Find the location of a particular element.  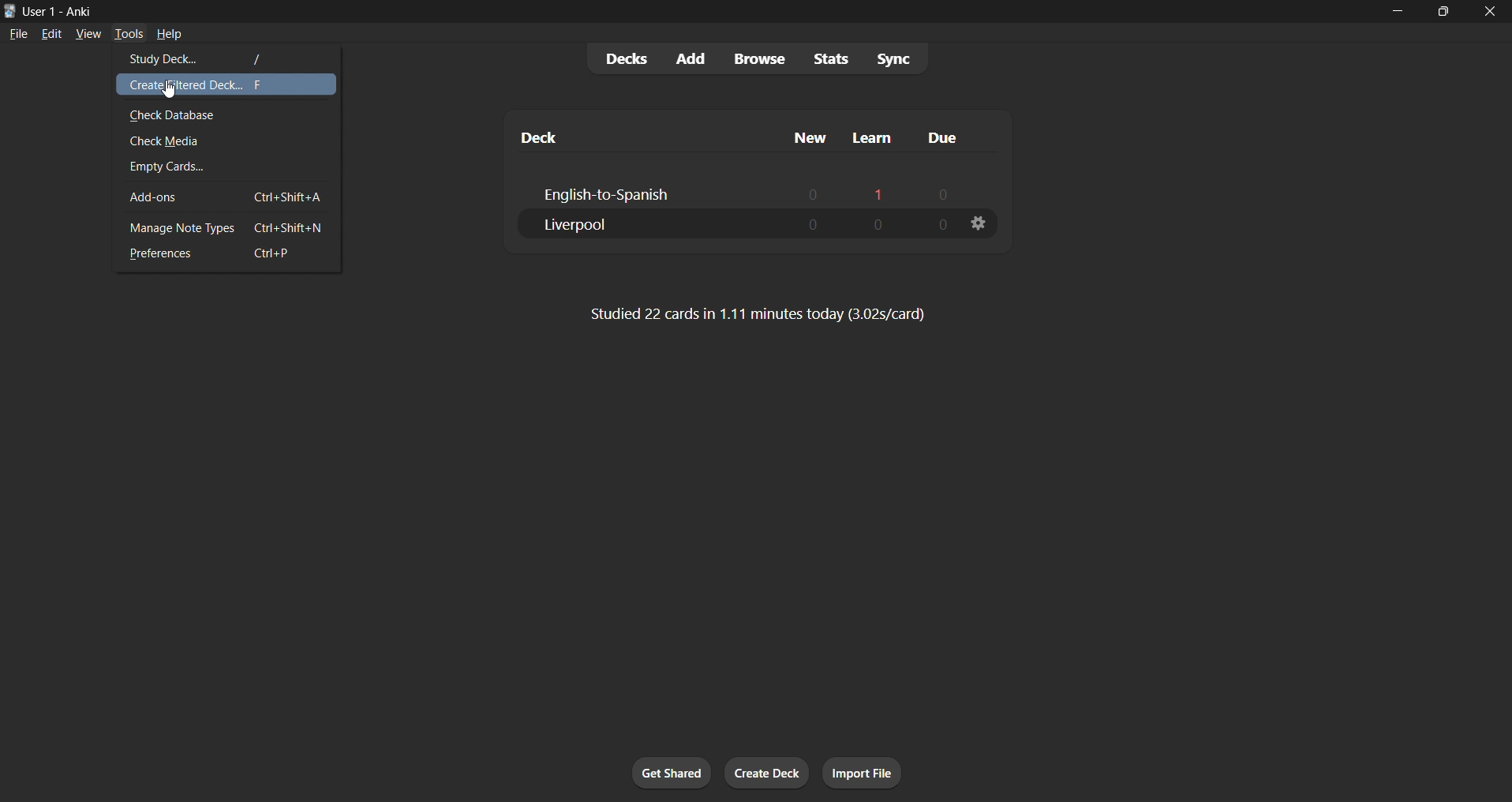

get sharedc is located at coordinates (669, 770).